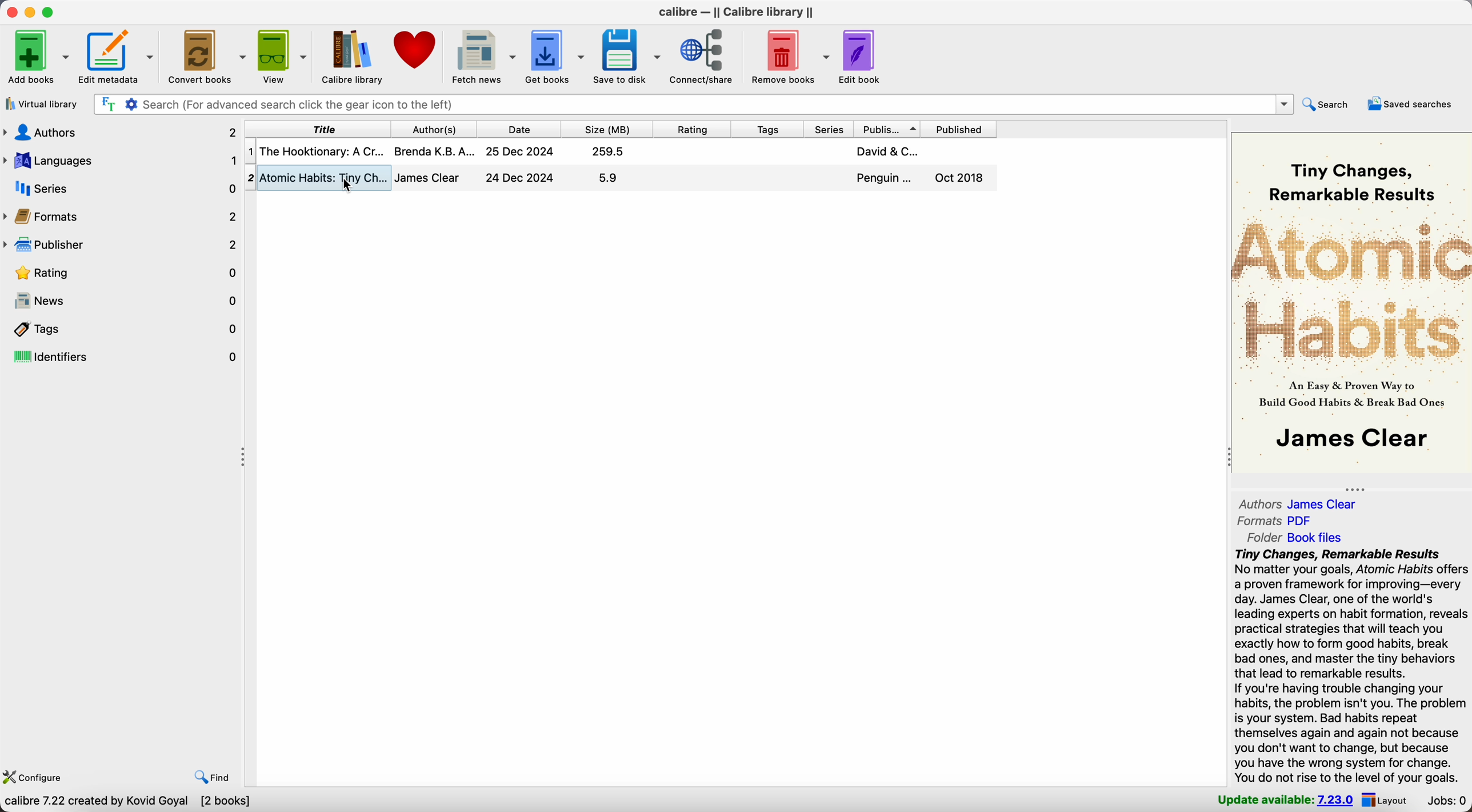 This screenshot has width=1472, height=812. I want to click on search bar, so click(692, 104).